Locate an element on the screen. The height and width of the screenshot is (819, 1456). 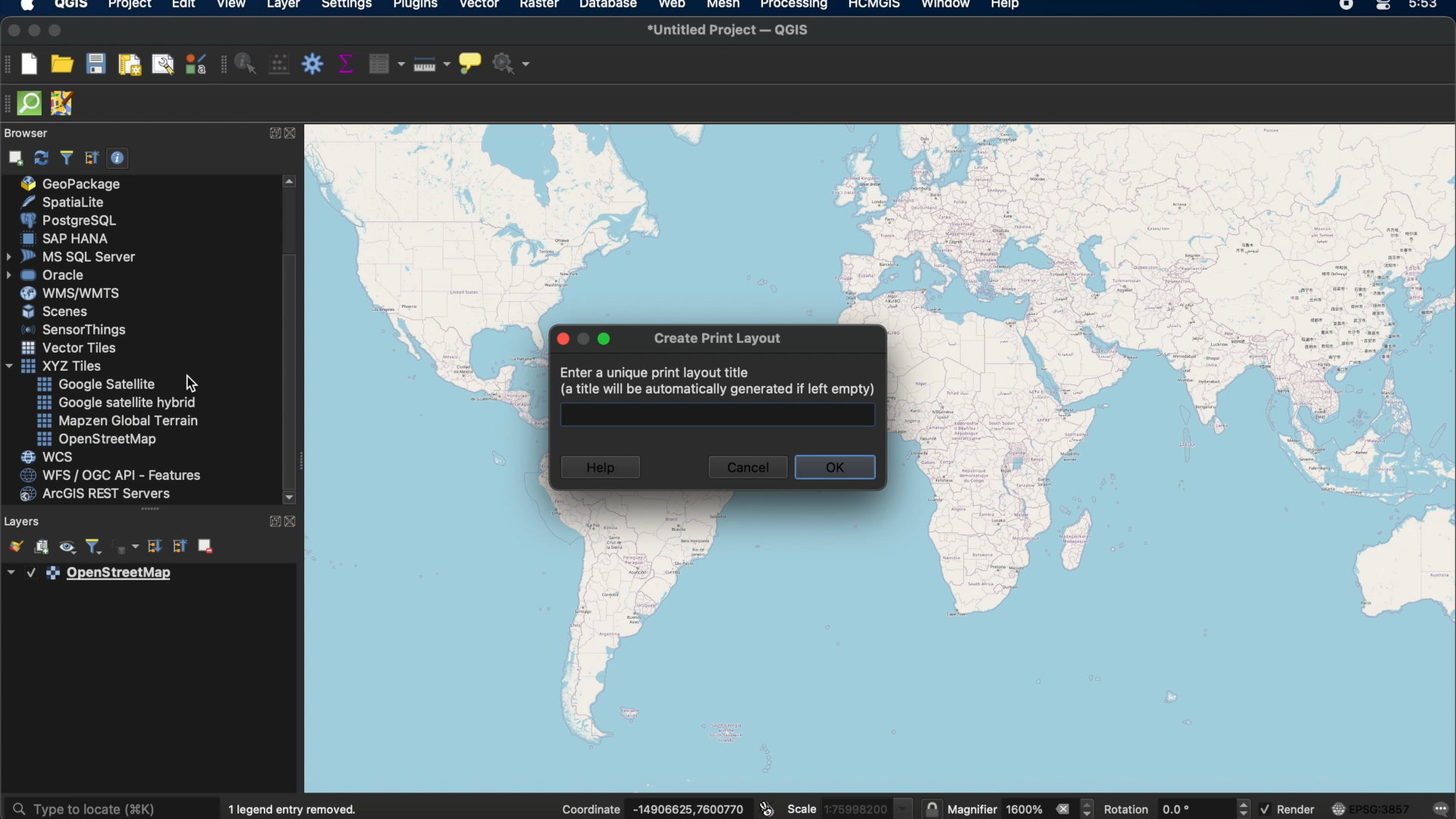
more is located at coordinates (149, 512).